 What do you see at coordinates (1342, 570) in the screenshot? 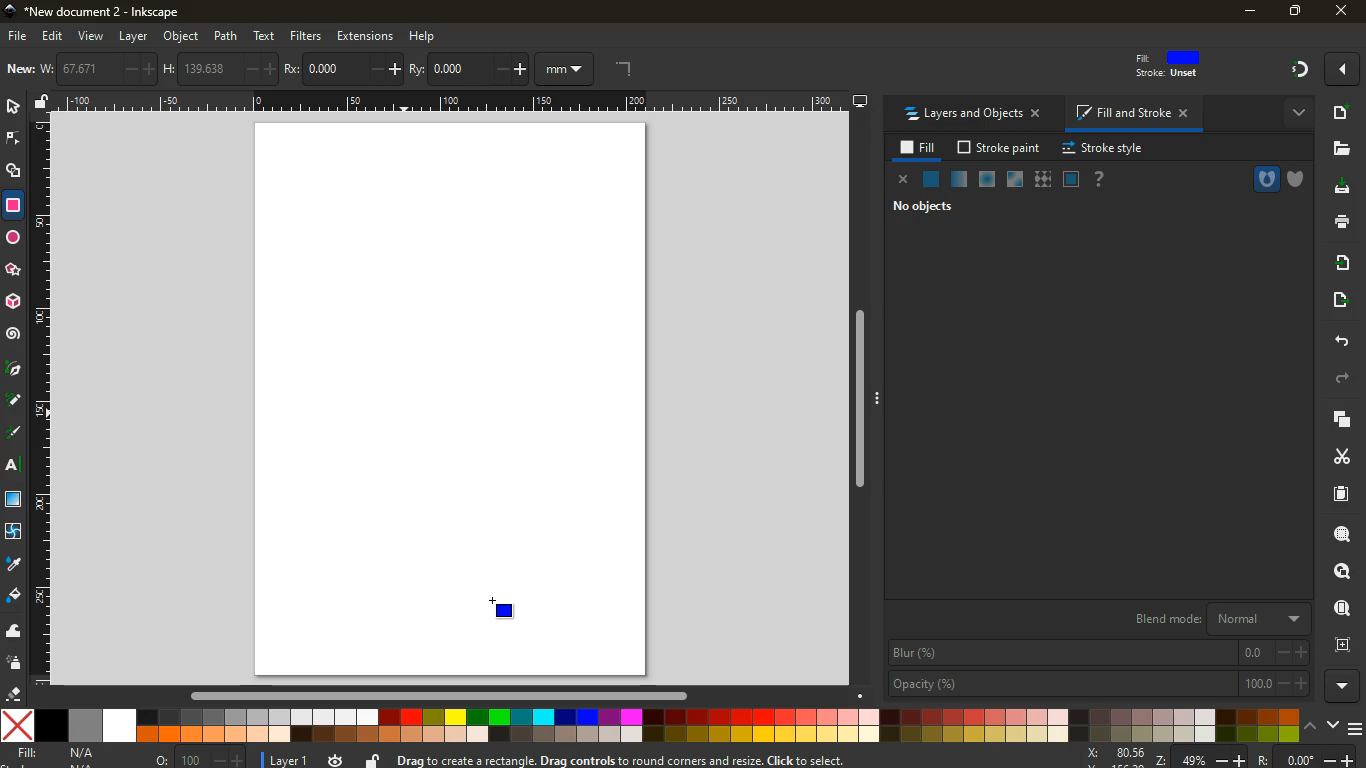
I see `look` at bounding box center [1342, 570].